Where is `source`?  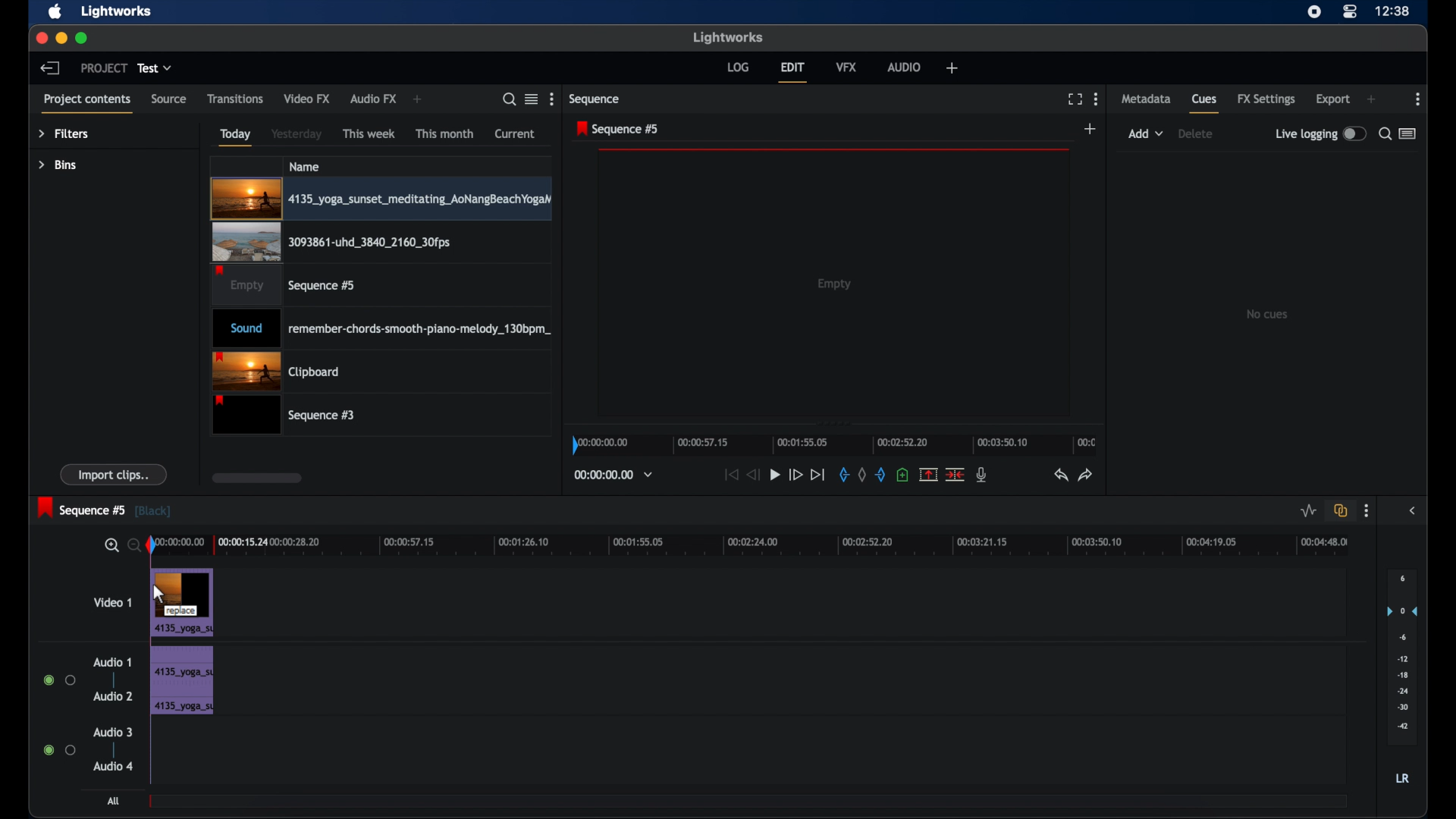 source is located at coordinates (168, 99).